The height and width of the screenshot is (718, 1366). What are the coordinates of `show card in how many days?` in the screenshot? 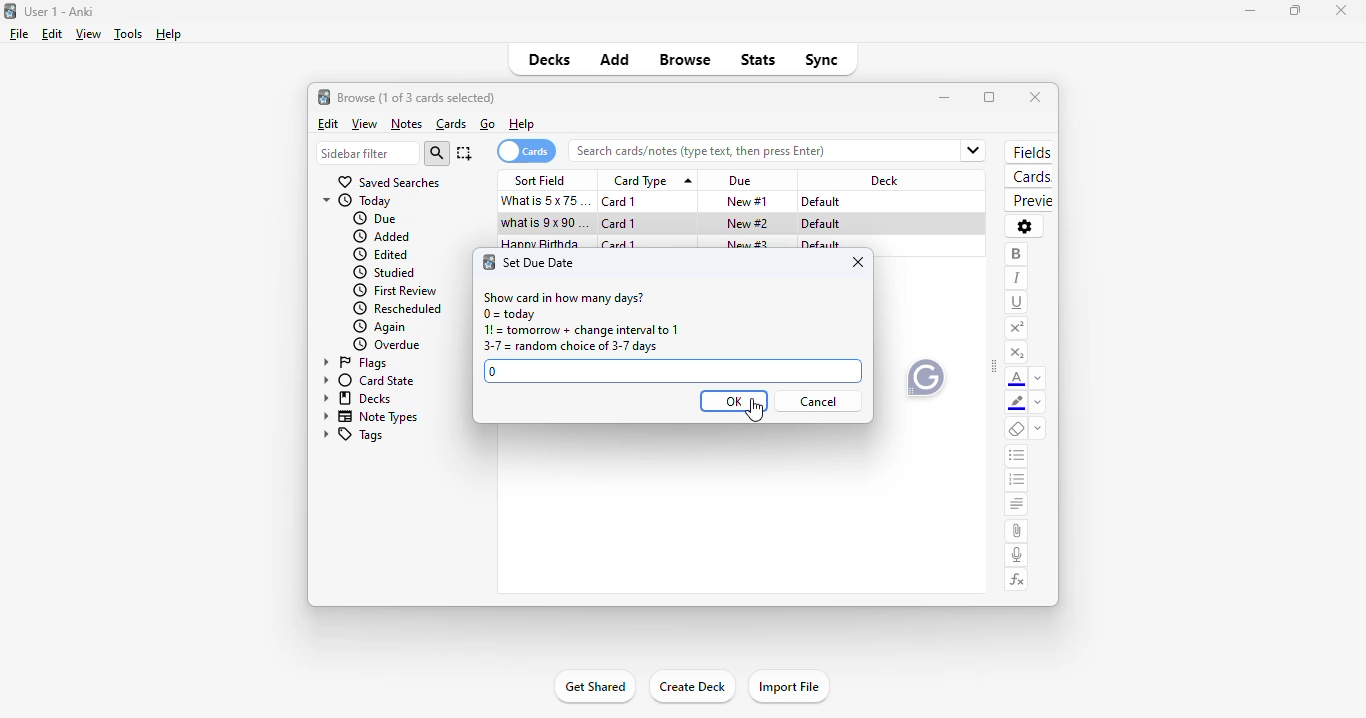 It's located at (563, 297).